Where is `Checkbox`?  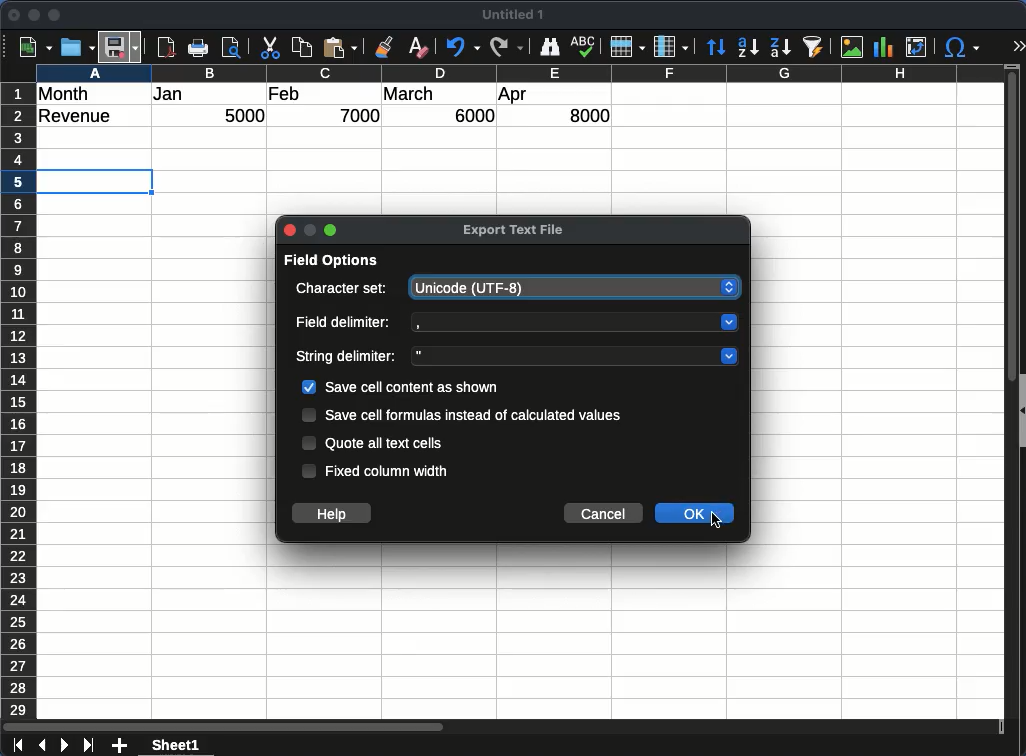 Checkbox is located at coordinates (308, 471).